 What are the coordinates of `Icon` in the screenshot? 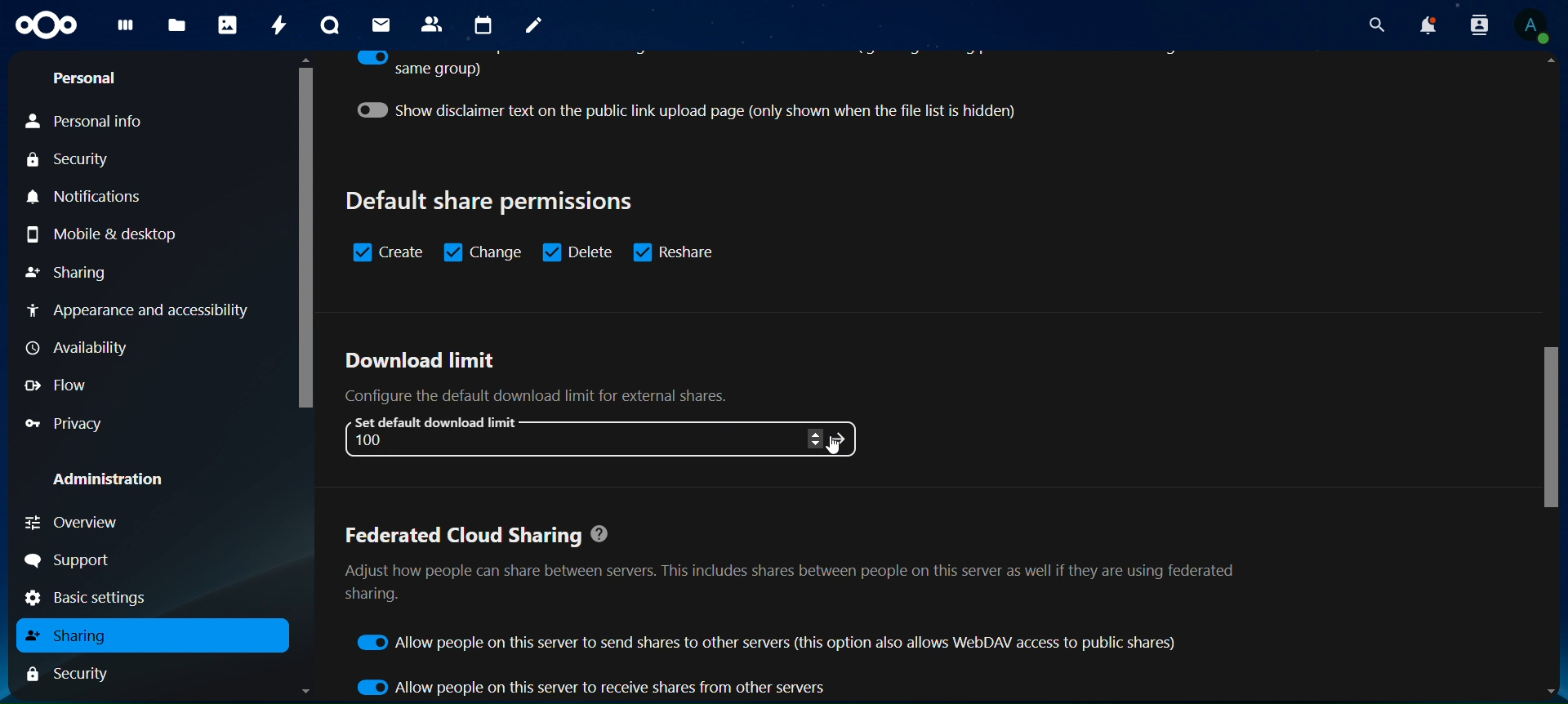 It's located at (49, 27).